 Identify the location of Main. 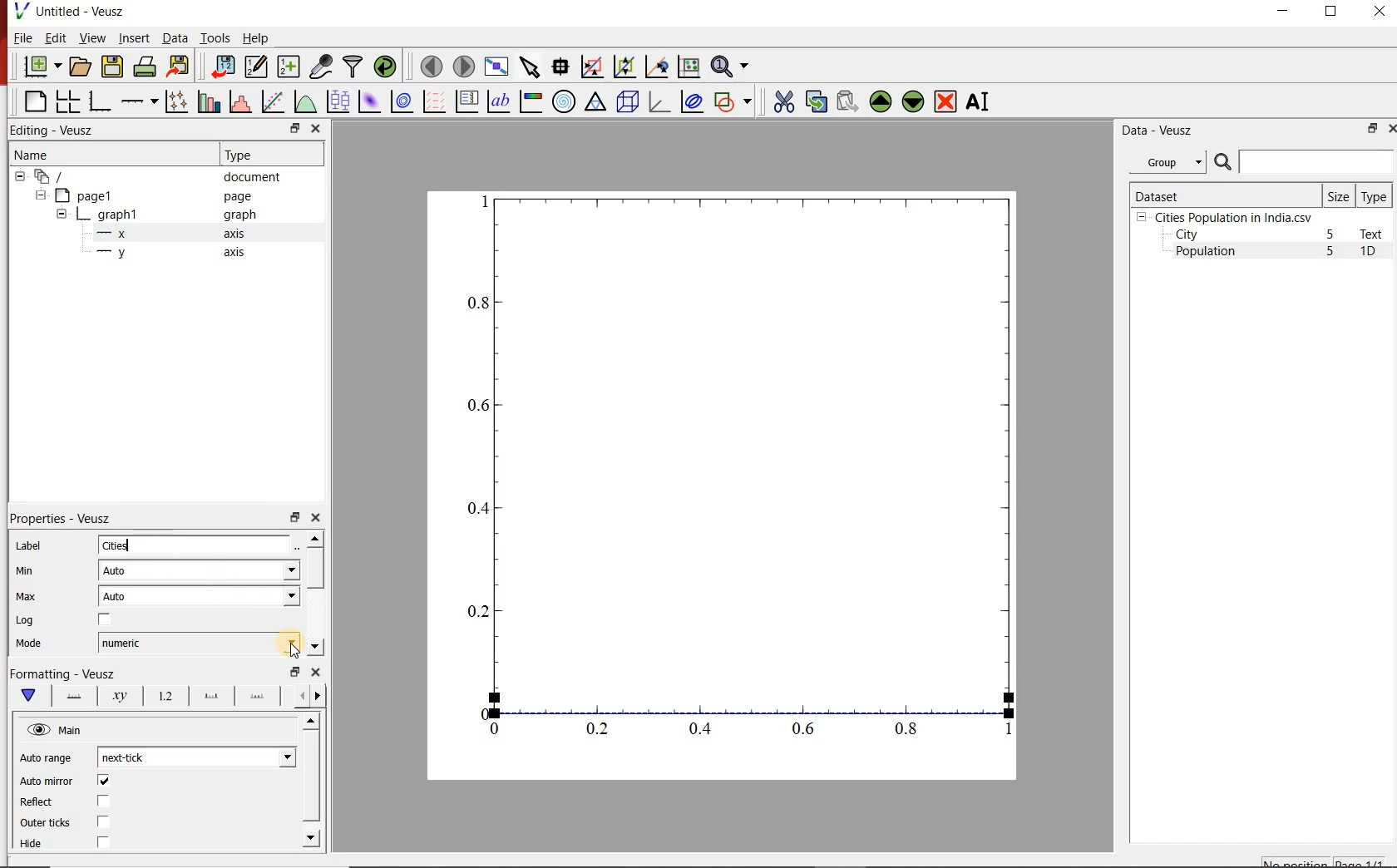
(56, 730).